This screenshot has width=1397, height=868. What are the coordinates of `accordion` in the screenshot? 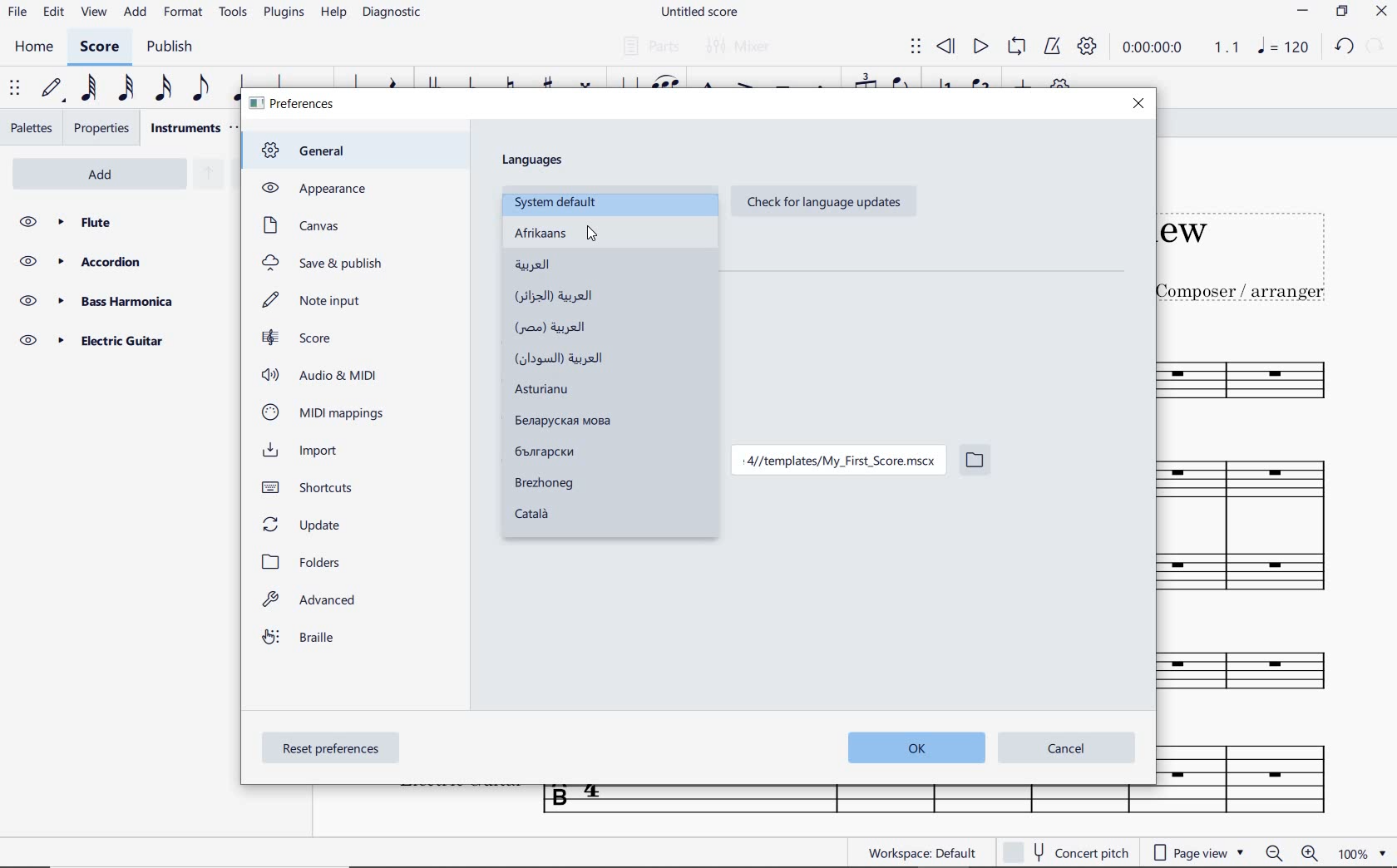 It's located at (120, 262).